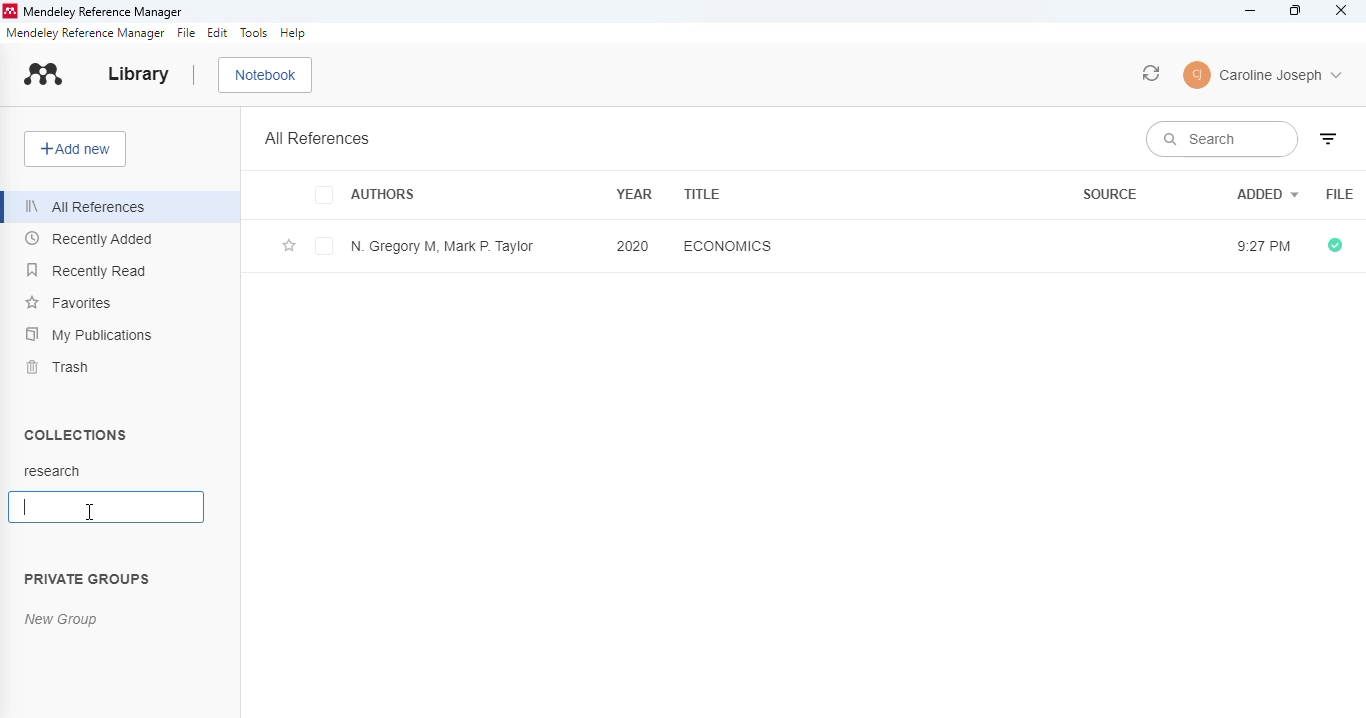 The width and height of the screenshot is (1366, 718). I want to click on recently read, so click(88, 270).